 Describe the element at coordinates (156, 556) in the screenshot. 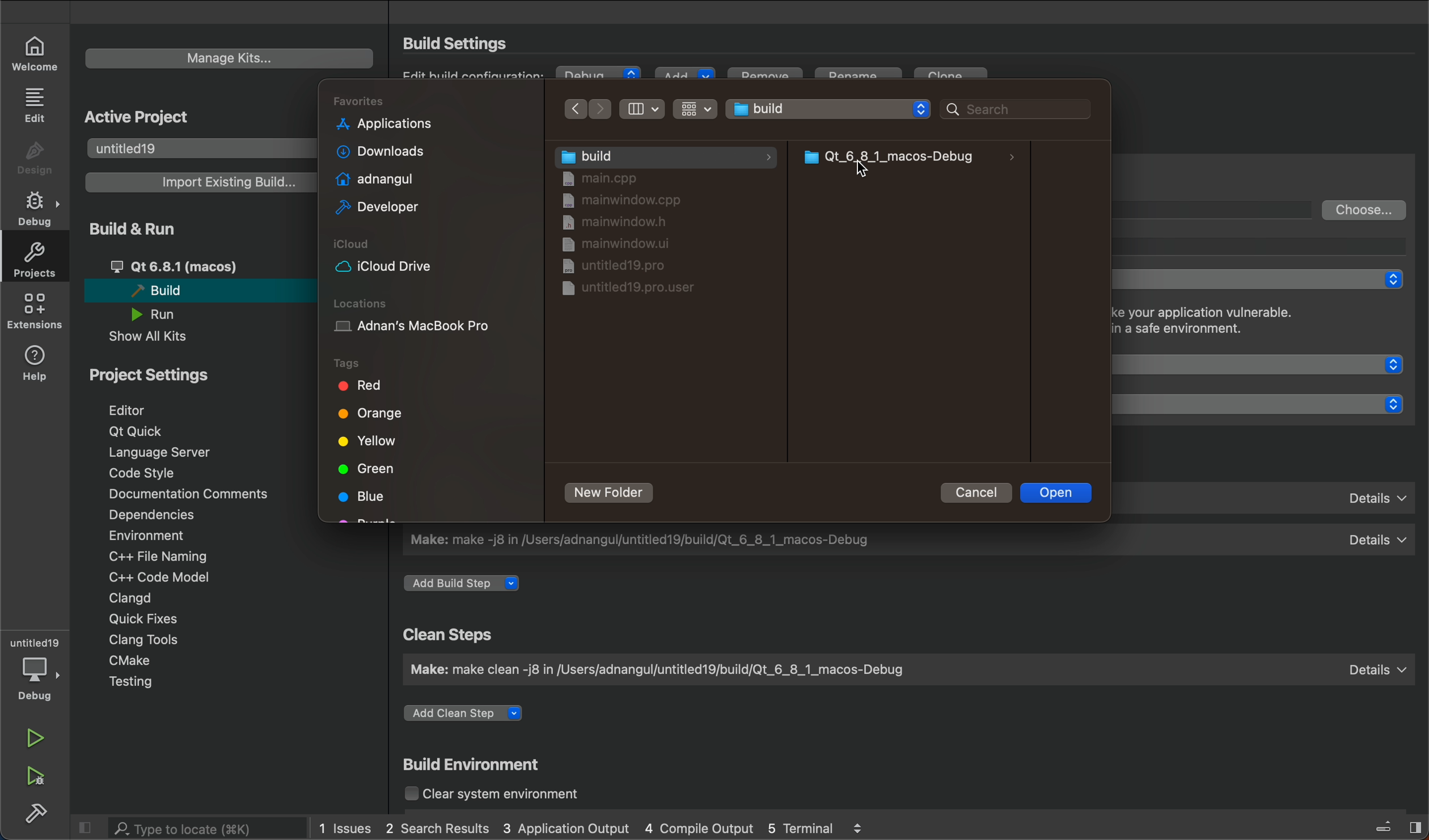

I see `c++ file naming` at that location.